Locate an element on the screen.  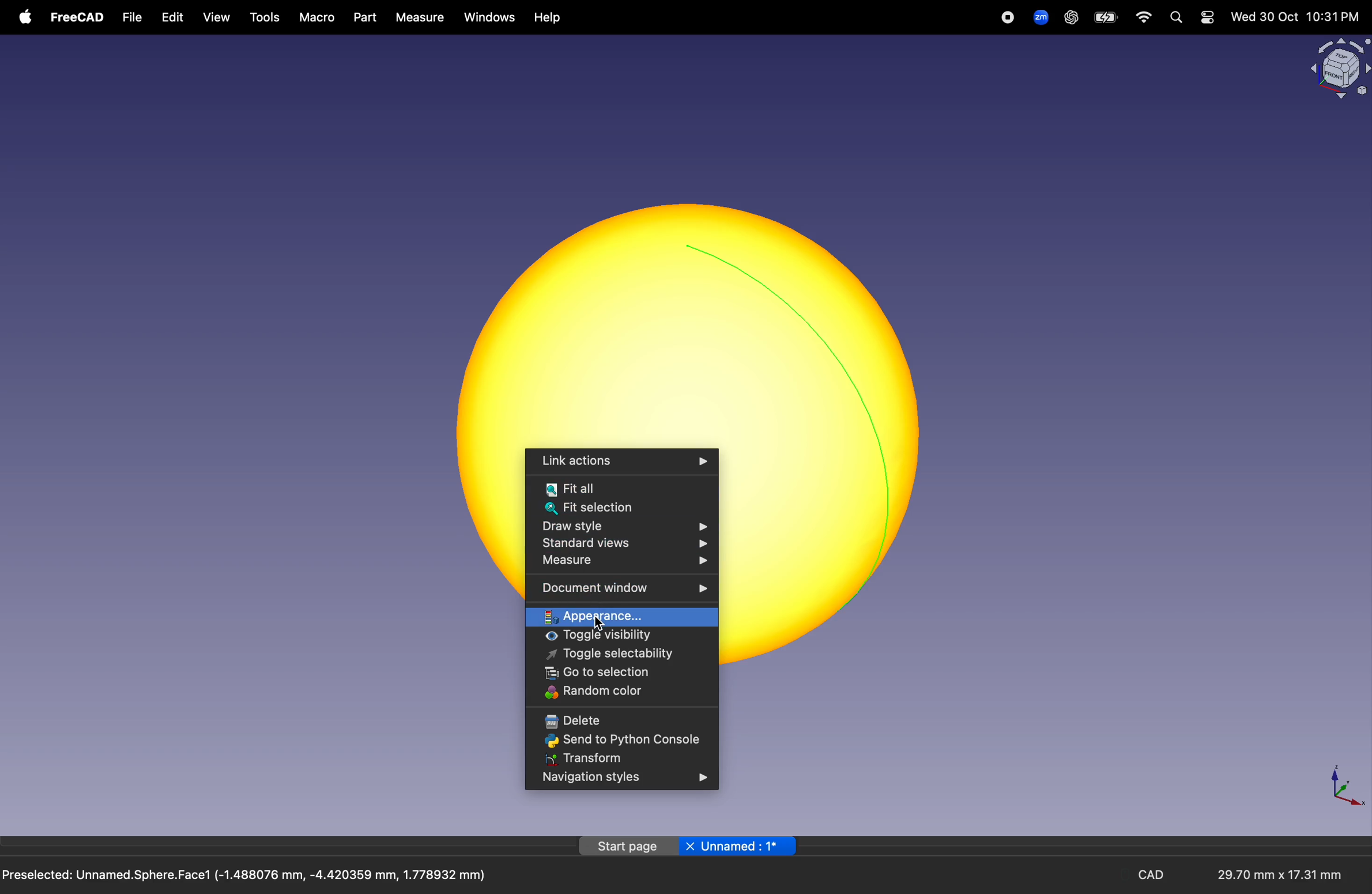
apple menu is located at coordinates (22, 17).